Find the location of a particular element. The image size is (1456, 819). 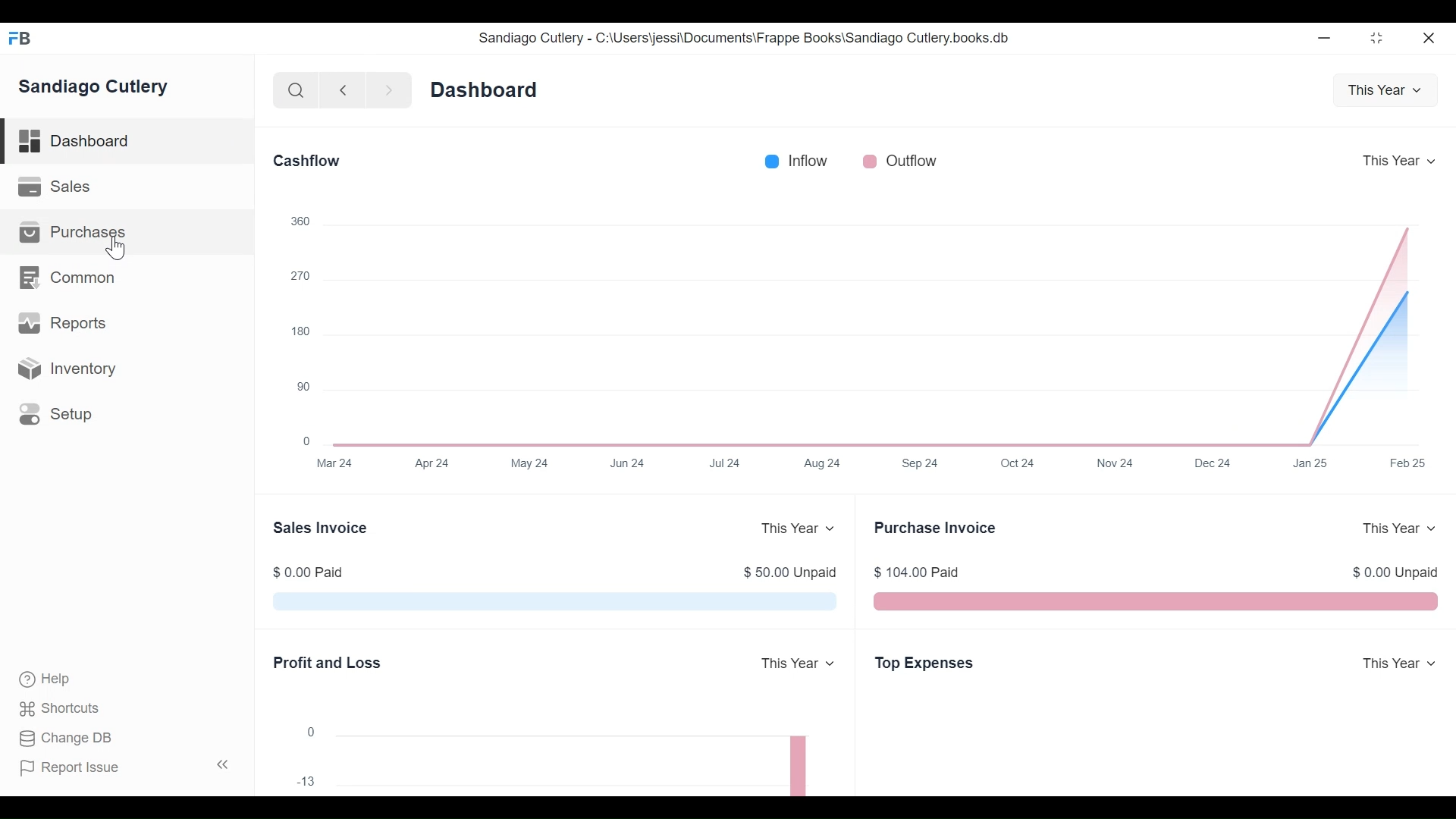

$ 0.00 Unpaid is located at coordinates (1399, 573).